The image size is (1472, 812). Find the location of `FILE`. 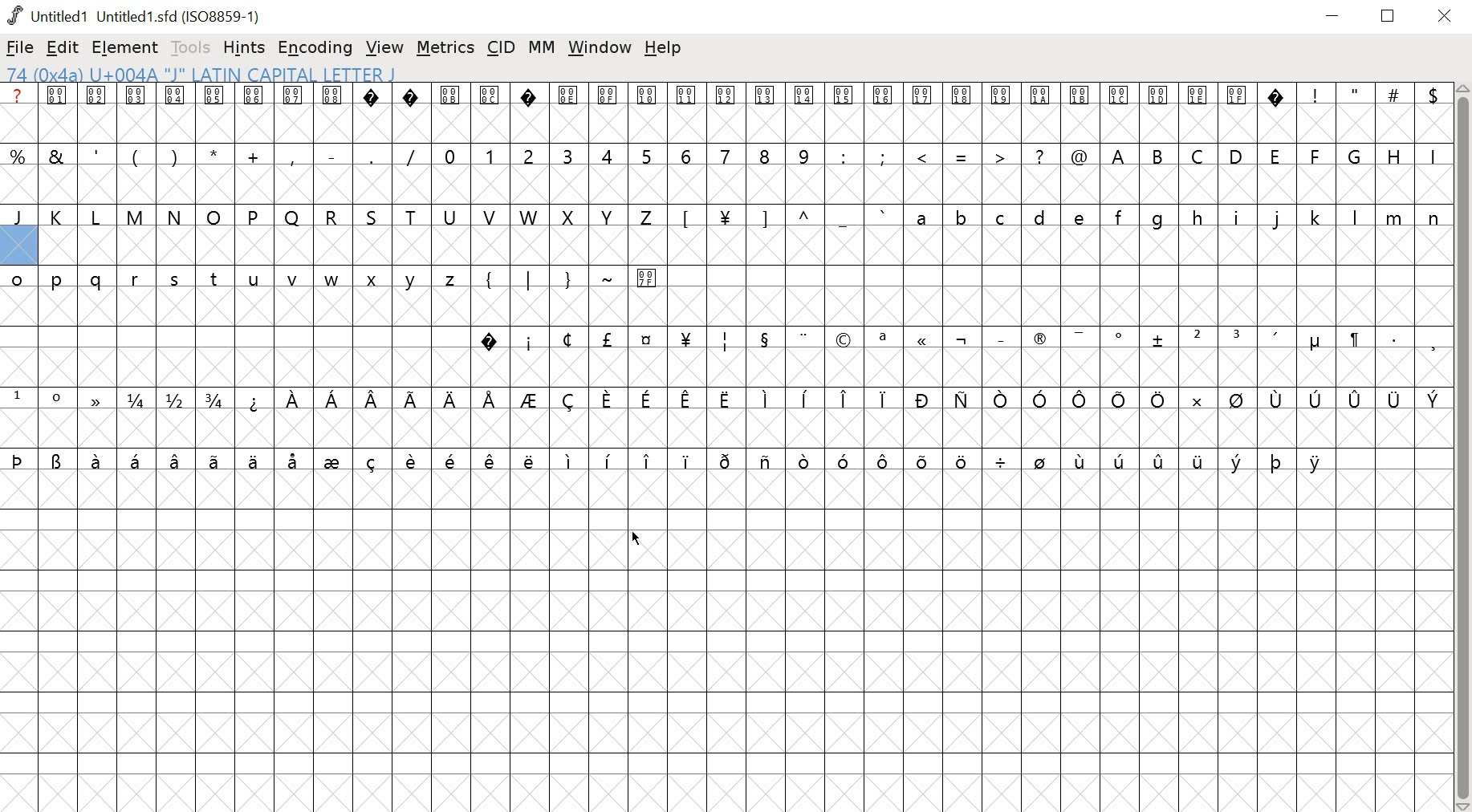

FILE is located at coordinates (20, 47).